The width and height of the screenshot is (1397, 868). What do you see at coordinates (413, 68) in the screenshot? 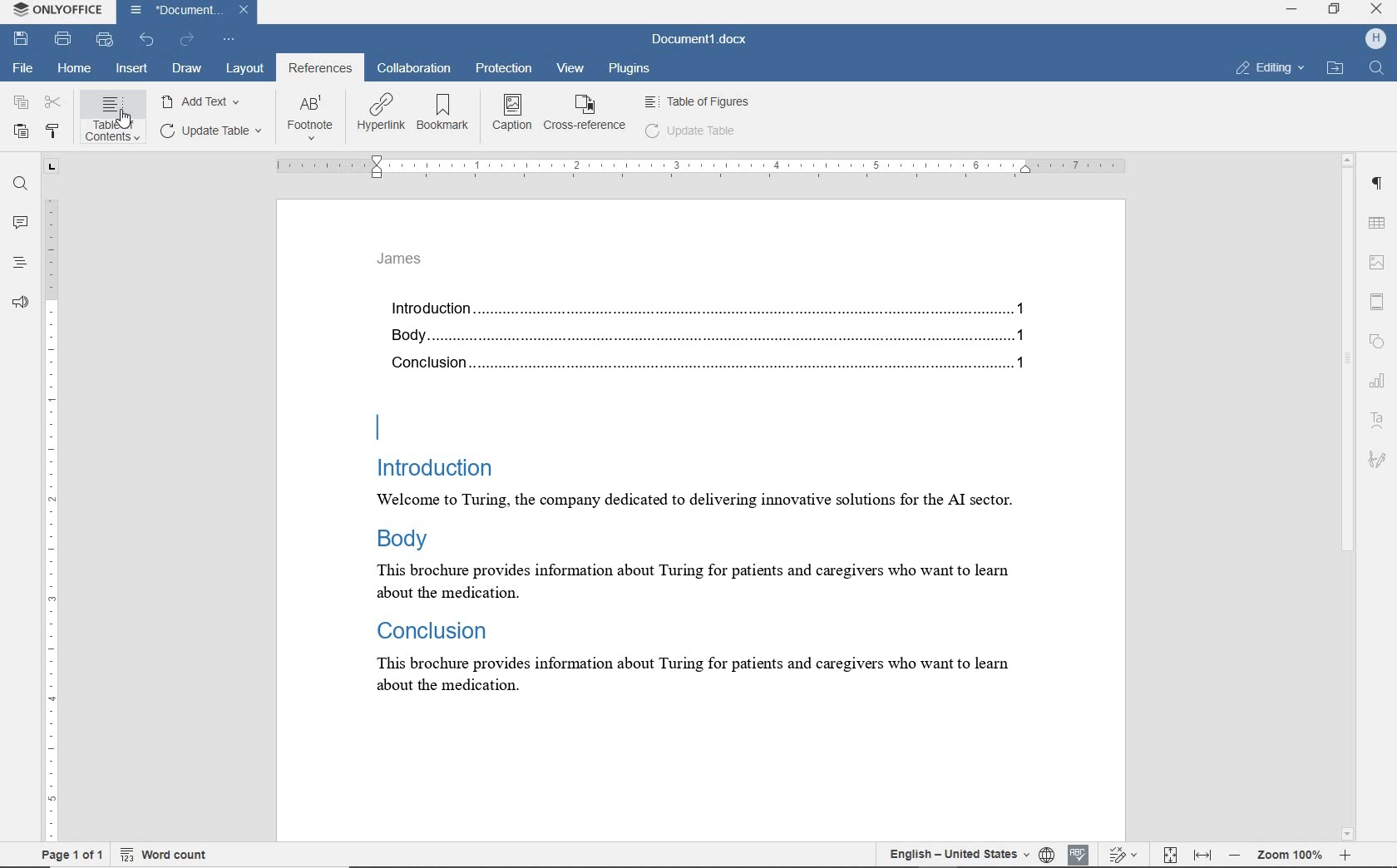
I see `collaboration` at bounding box center [413, 68].